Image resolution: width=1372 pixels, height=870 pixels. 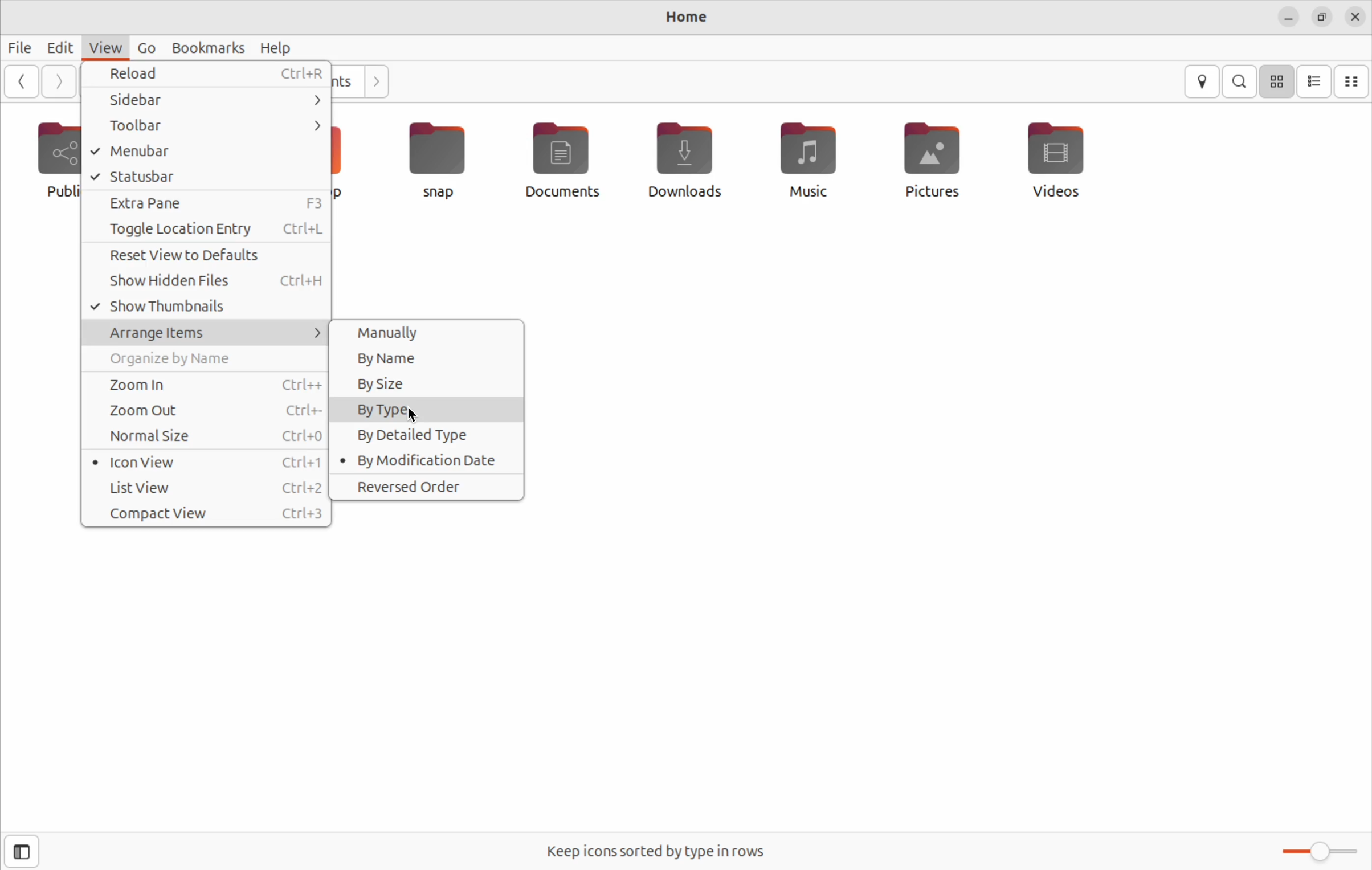 I want to click on by type, so click(x=427, y=410).